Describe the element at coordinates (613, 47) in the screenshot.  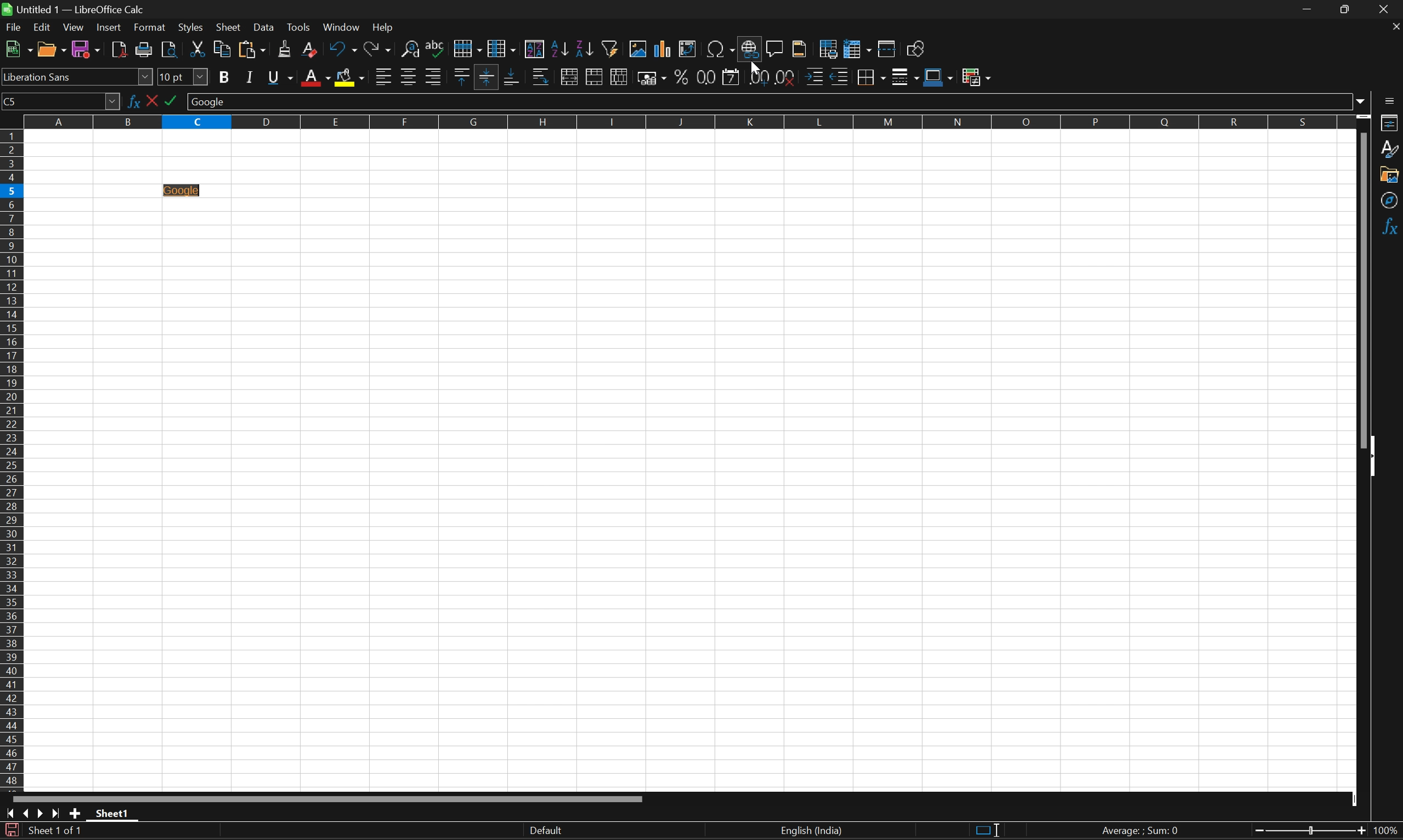
I see `Auto filter` at that location.